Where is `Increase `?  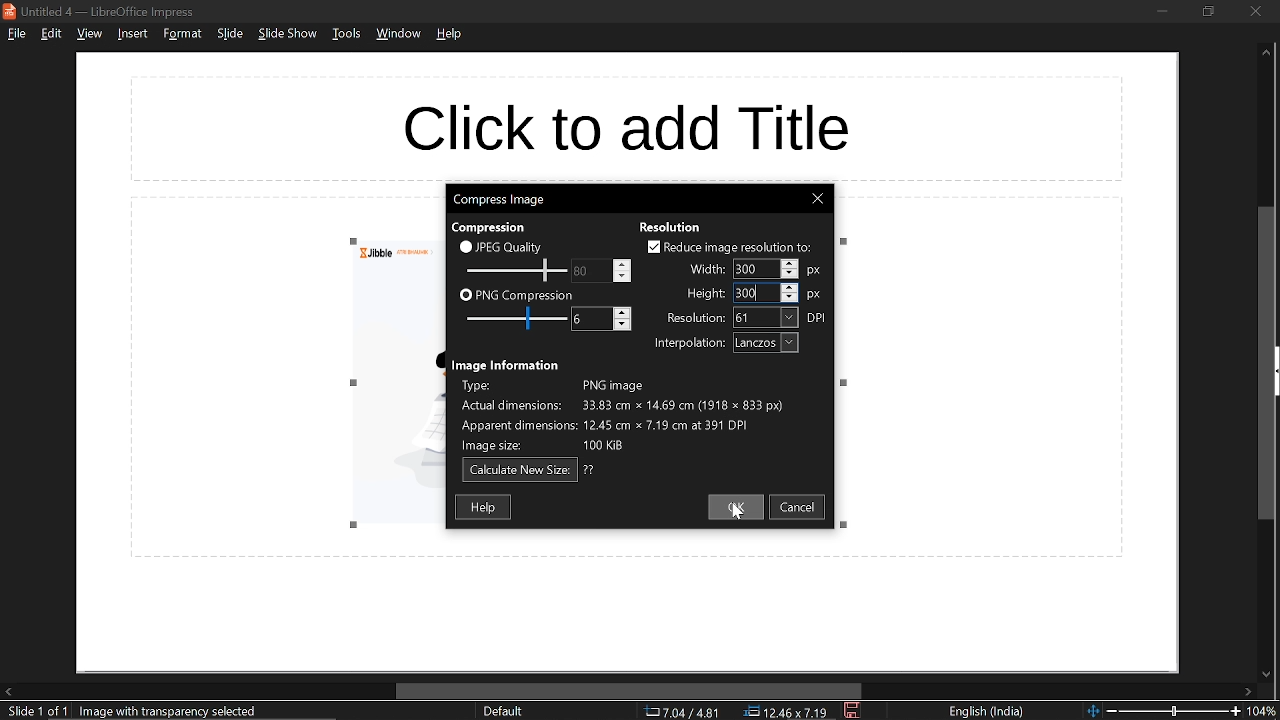
Increase  is located at coordinates (623, 262).